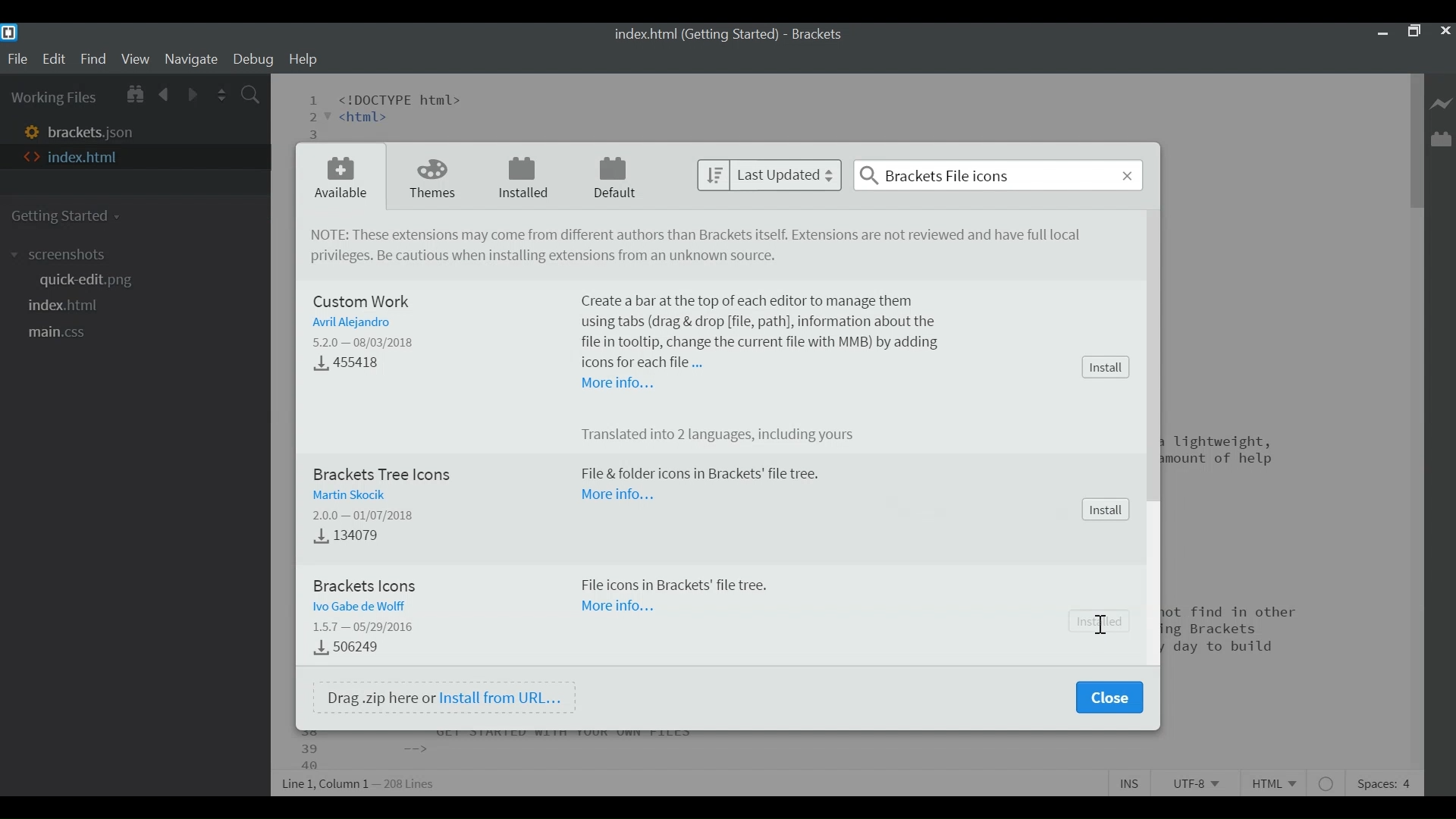 This screenshot has width=1456, height=819. Describe the element at coordinates (727, 436) in the screenshot. I see `Translated into two languages` at that location.